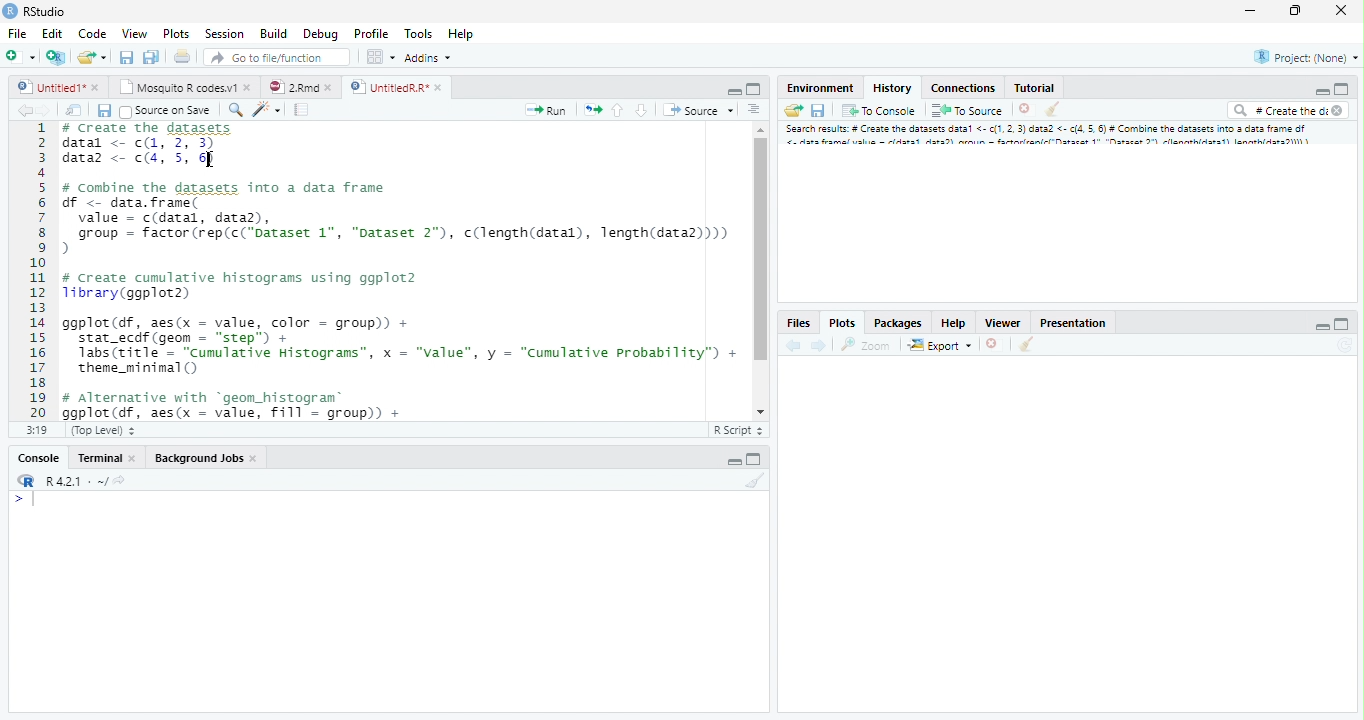 Image resolution: width=1364 pixels, height=720 pixels. What do you see at coordinates (1253, 11) in the screenshot?
I see `Minimize` at bounding box center [1253, 11].